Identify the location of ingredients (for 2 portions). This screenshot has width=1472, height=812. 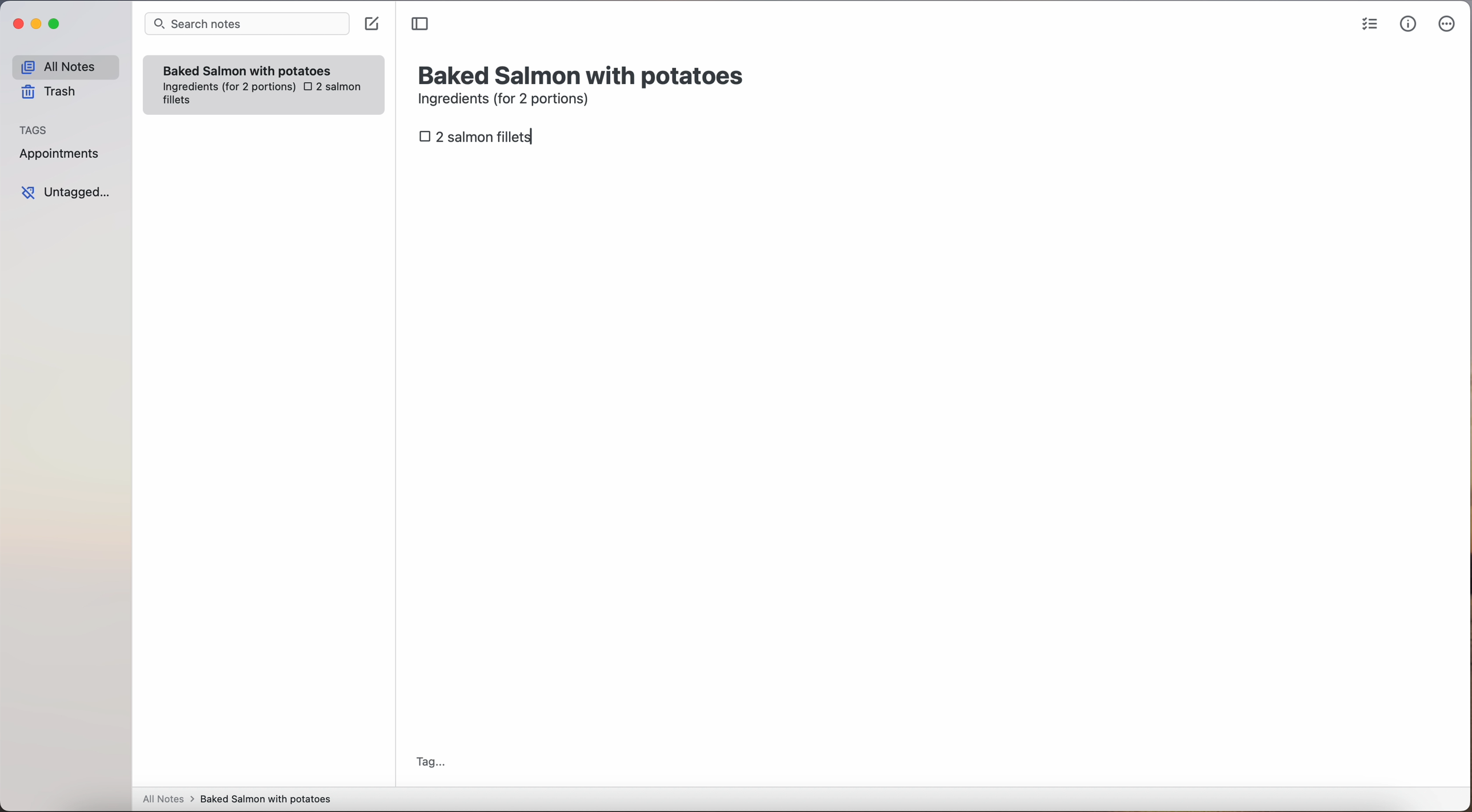
(507, 101).